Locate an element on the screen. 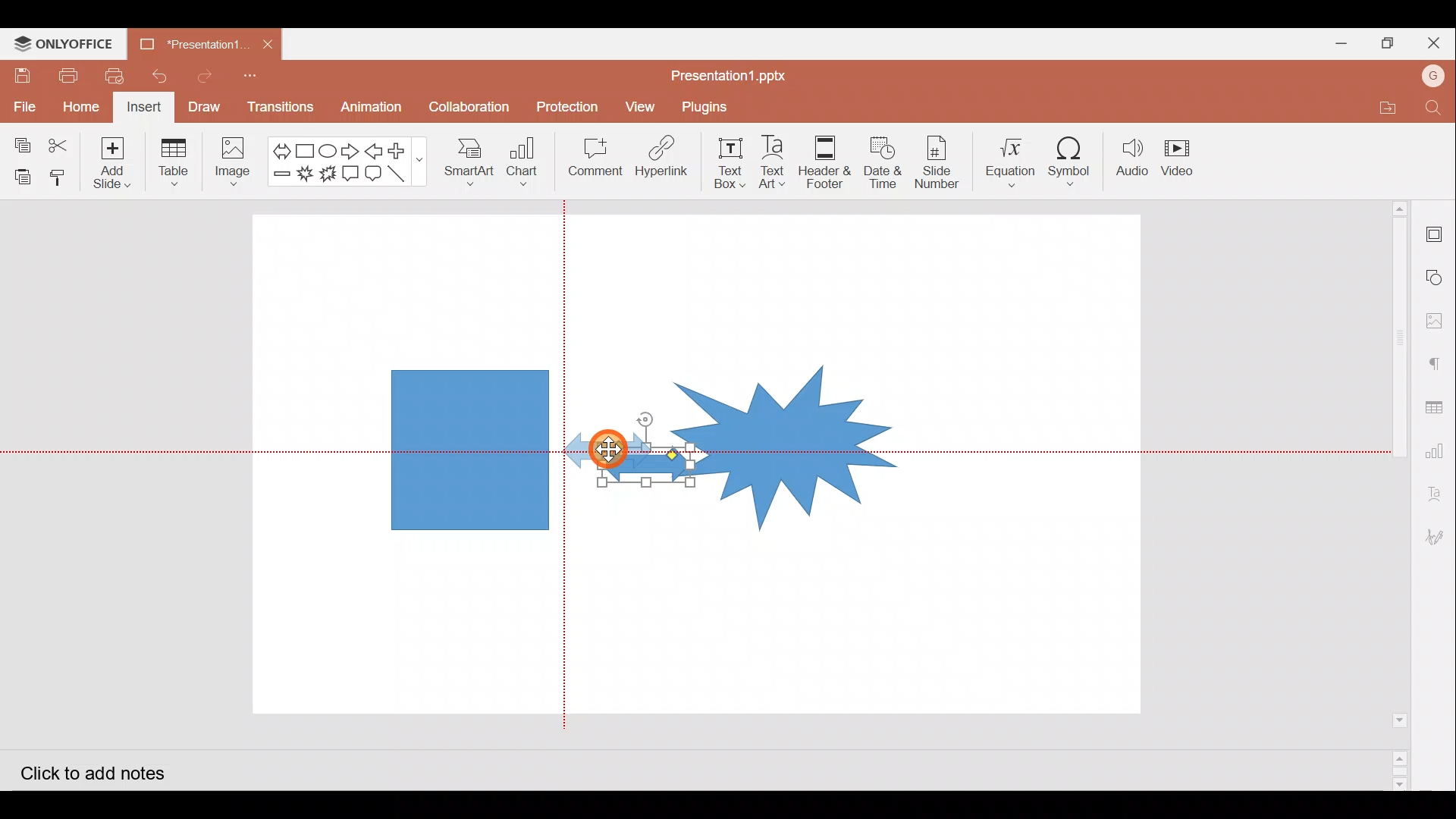 The image size is (1456, 819). Insert is located at coordinates (145, 108).